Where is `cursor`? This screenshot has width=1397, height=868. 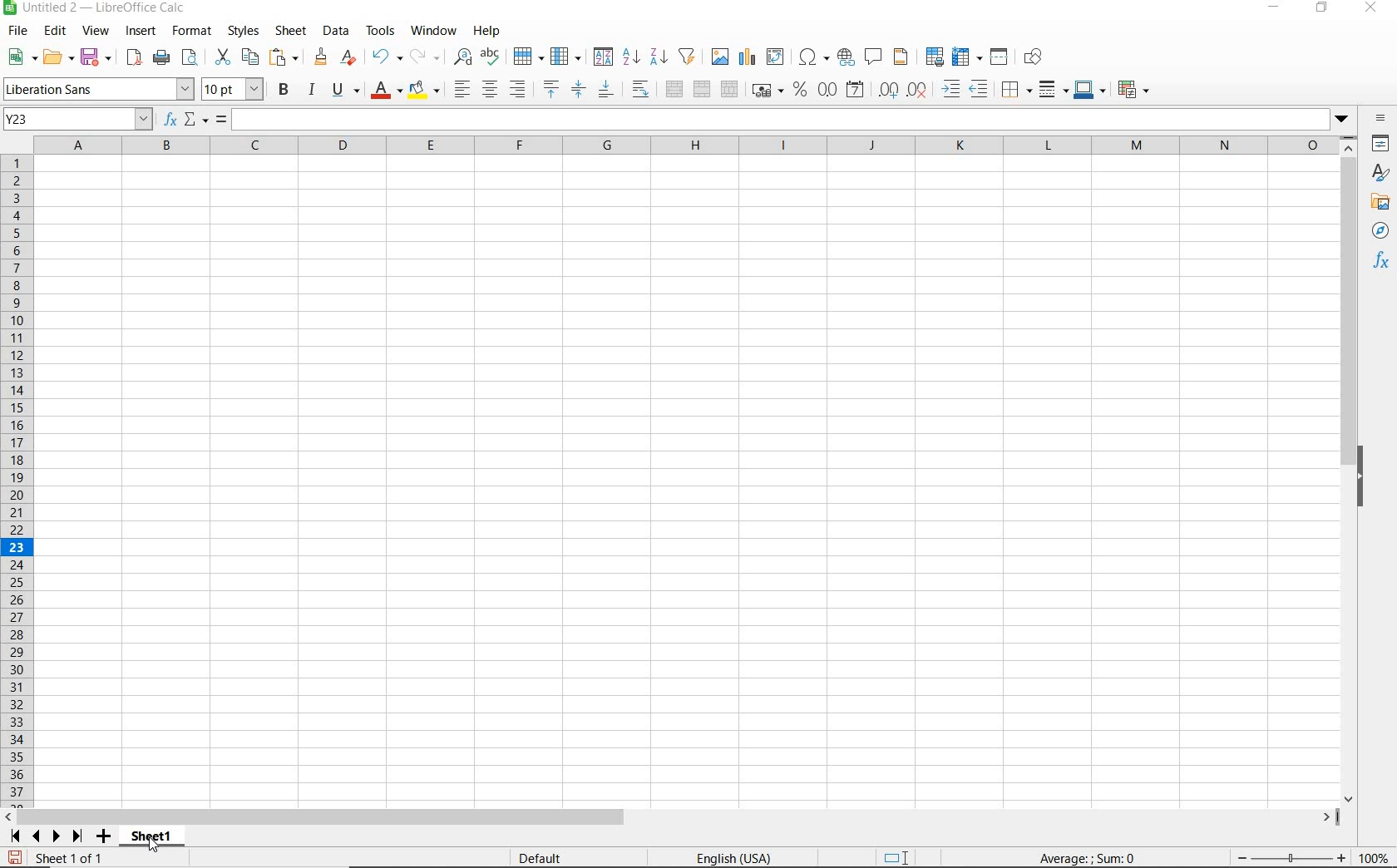 cursor is located at coordinates (157, 851).